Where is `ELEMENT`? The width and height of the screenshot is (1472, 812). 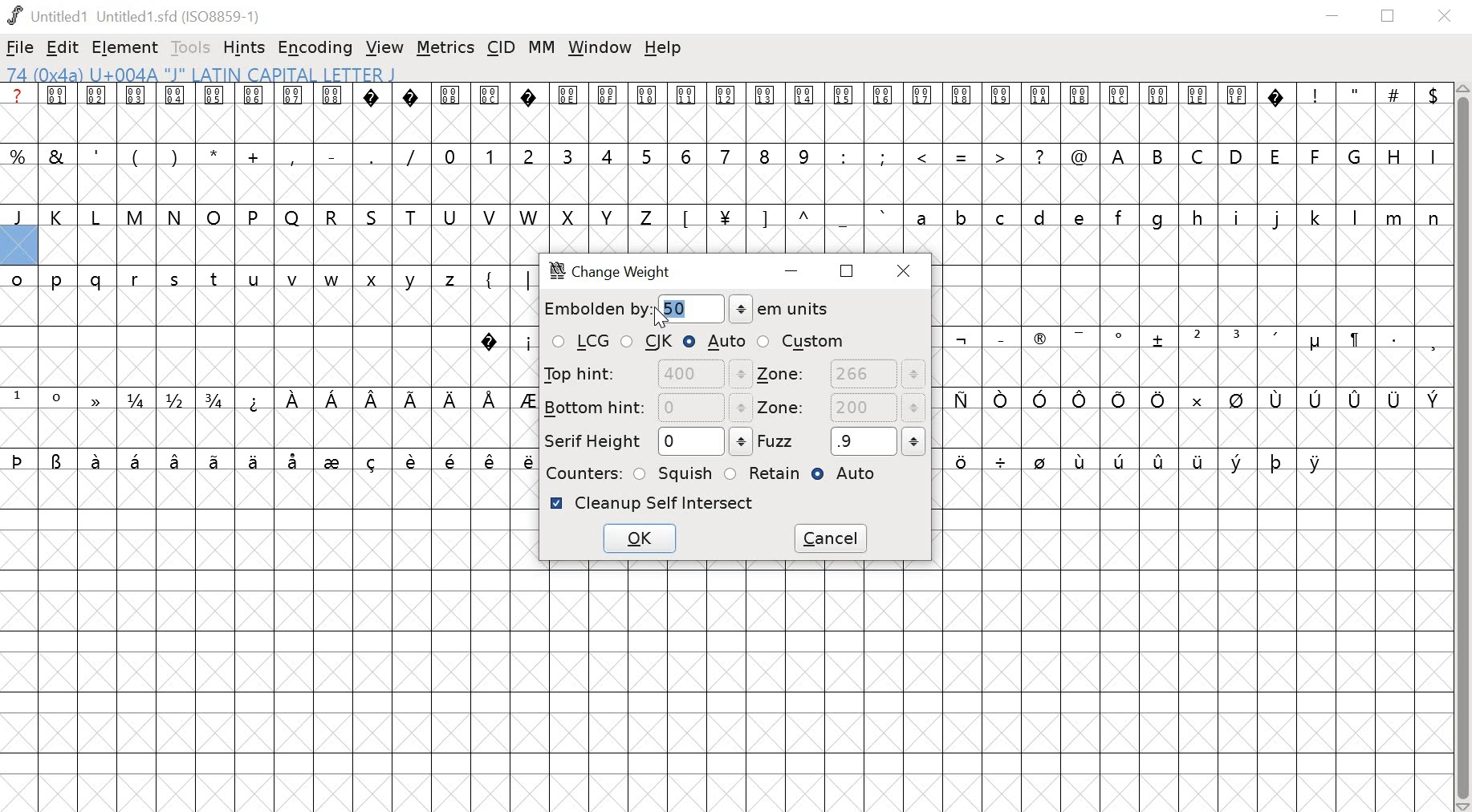 ELEMENT is located at coordinates (127, 48).